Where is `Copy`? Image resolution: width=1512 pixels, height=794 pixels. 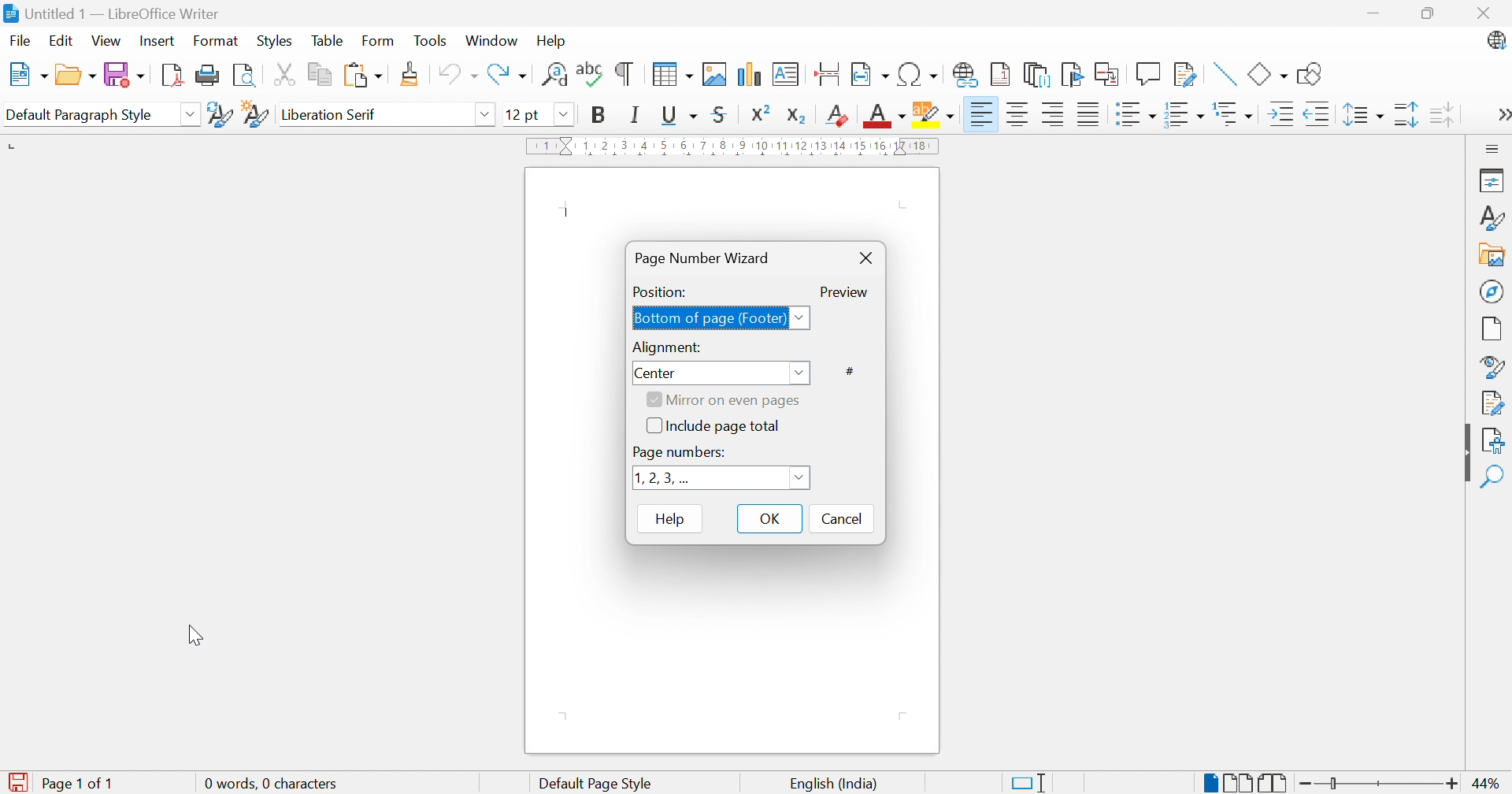
Copy is located at coordinates (321, 73).